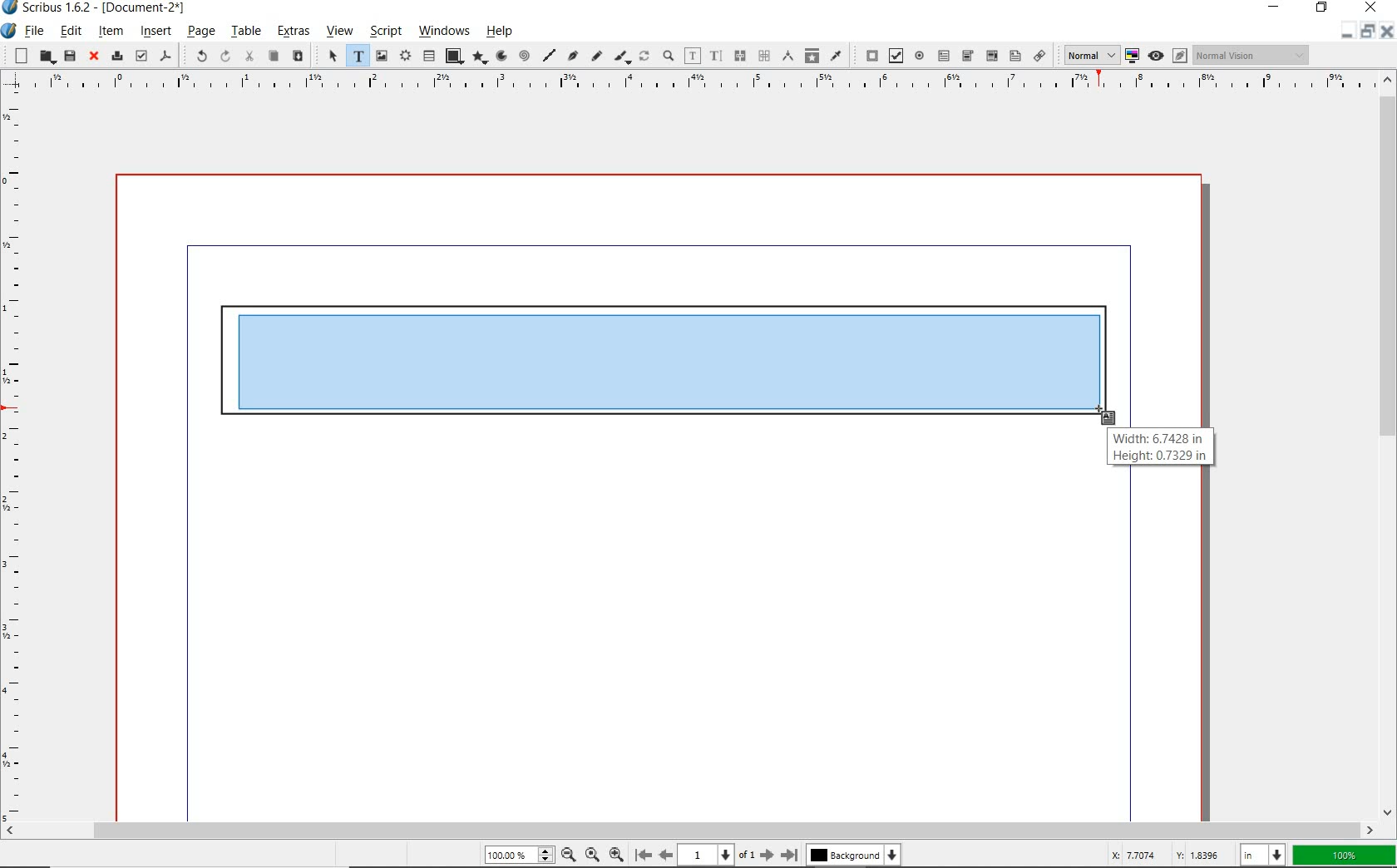 This screenshot has width=1397, height=868. I want to click on close, so click(95, 57).